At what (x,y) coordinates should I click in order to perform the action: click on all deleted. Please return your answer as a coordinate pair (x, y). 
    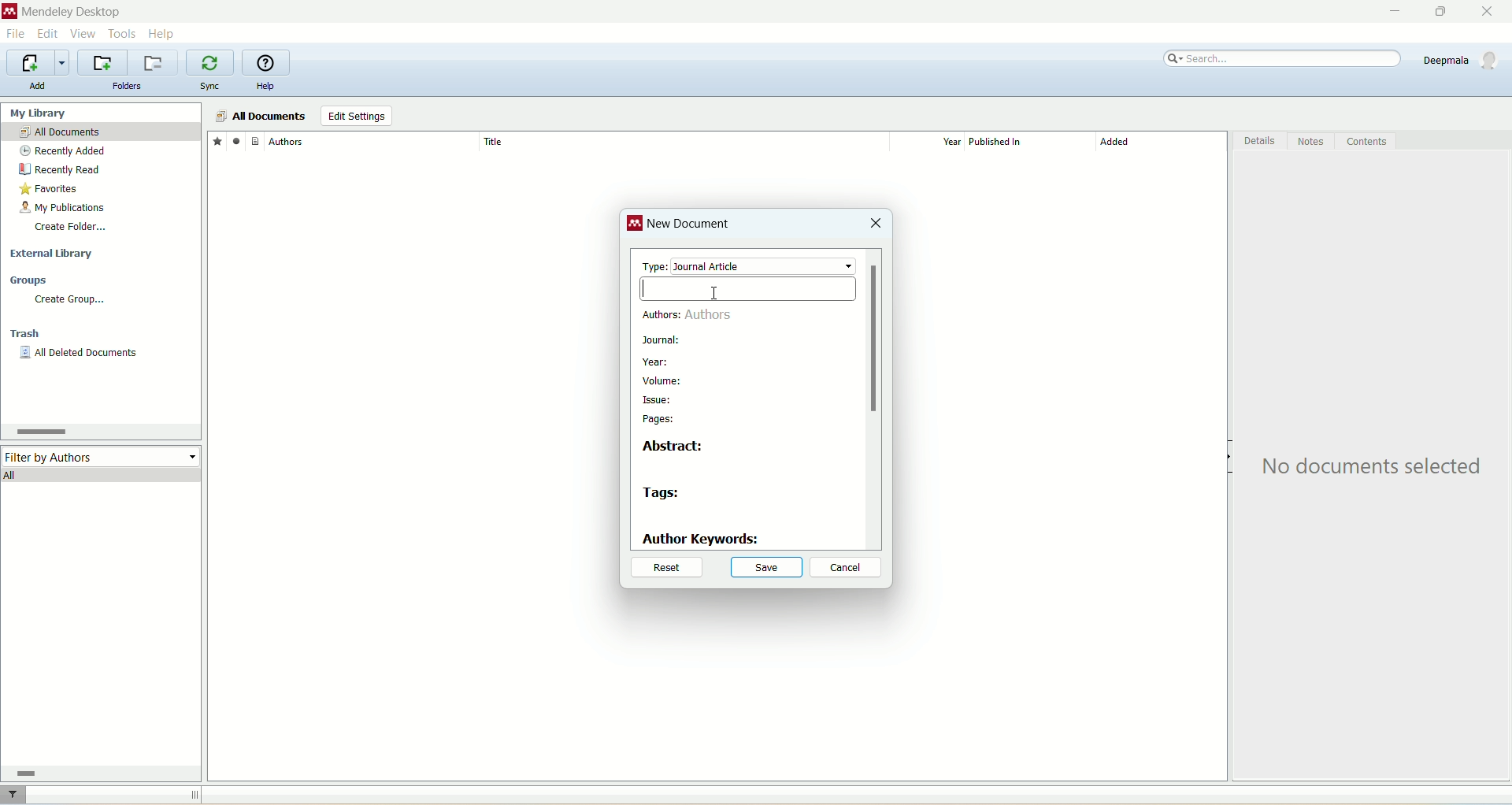
    Looking at the image, I should click on (80, 354).